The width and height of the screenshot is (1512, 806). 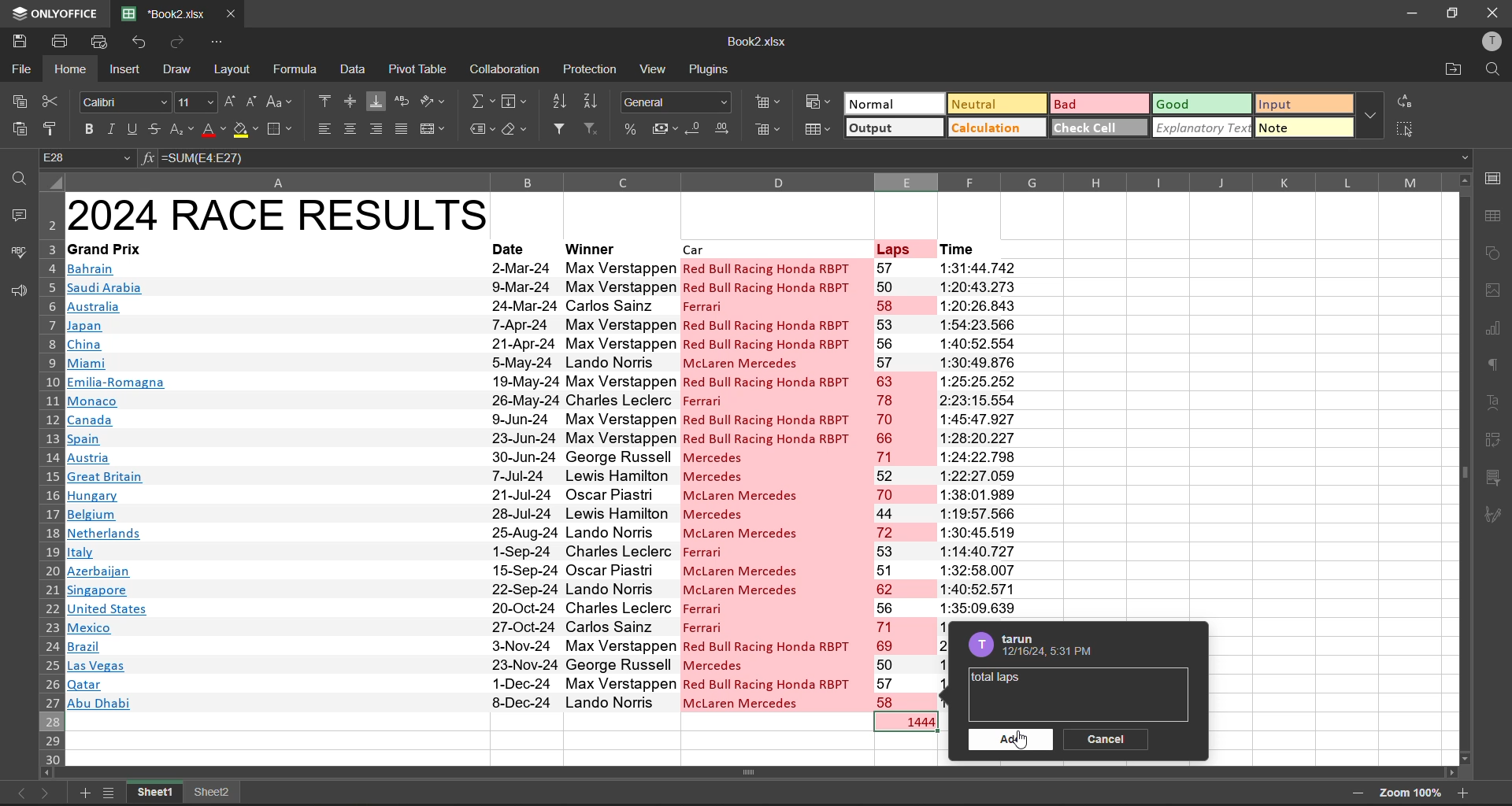 I want to click on neutral, so click(x=993, y=105).